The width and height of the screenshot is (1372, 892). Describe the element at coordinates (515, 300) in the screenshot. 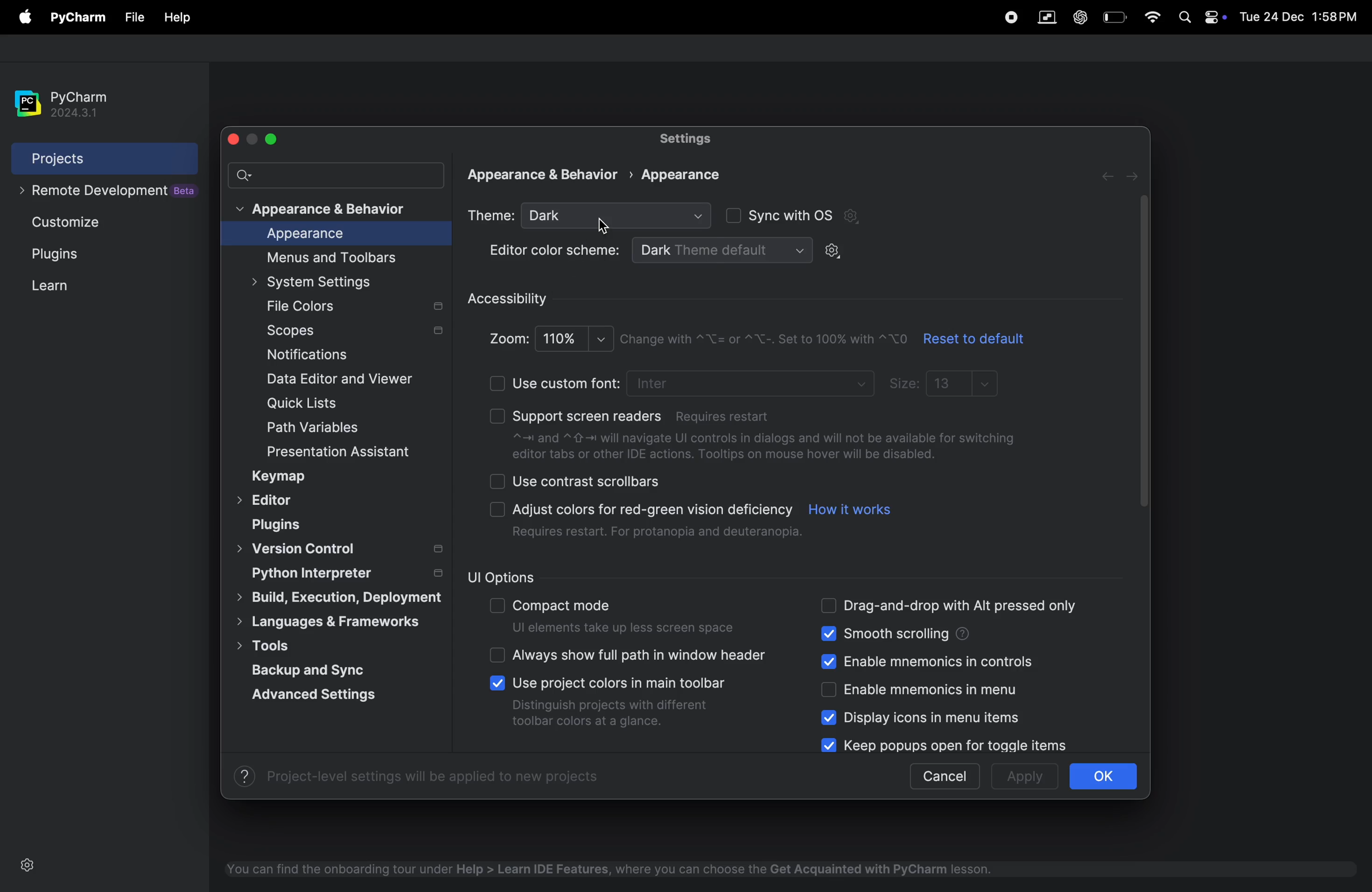

I see `accessibilty` at that location.